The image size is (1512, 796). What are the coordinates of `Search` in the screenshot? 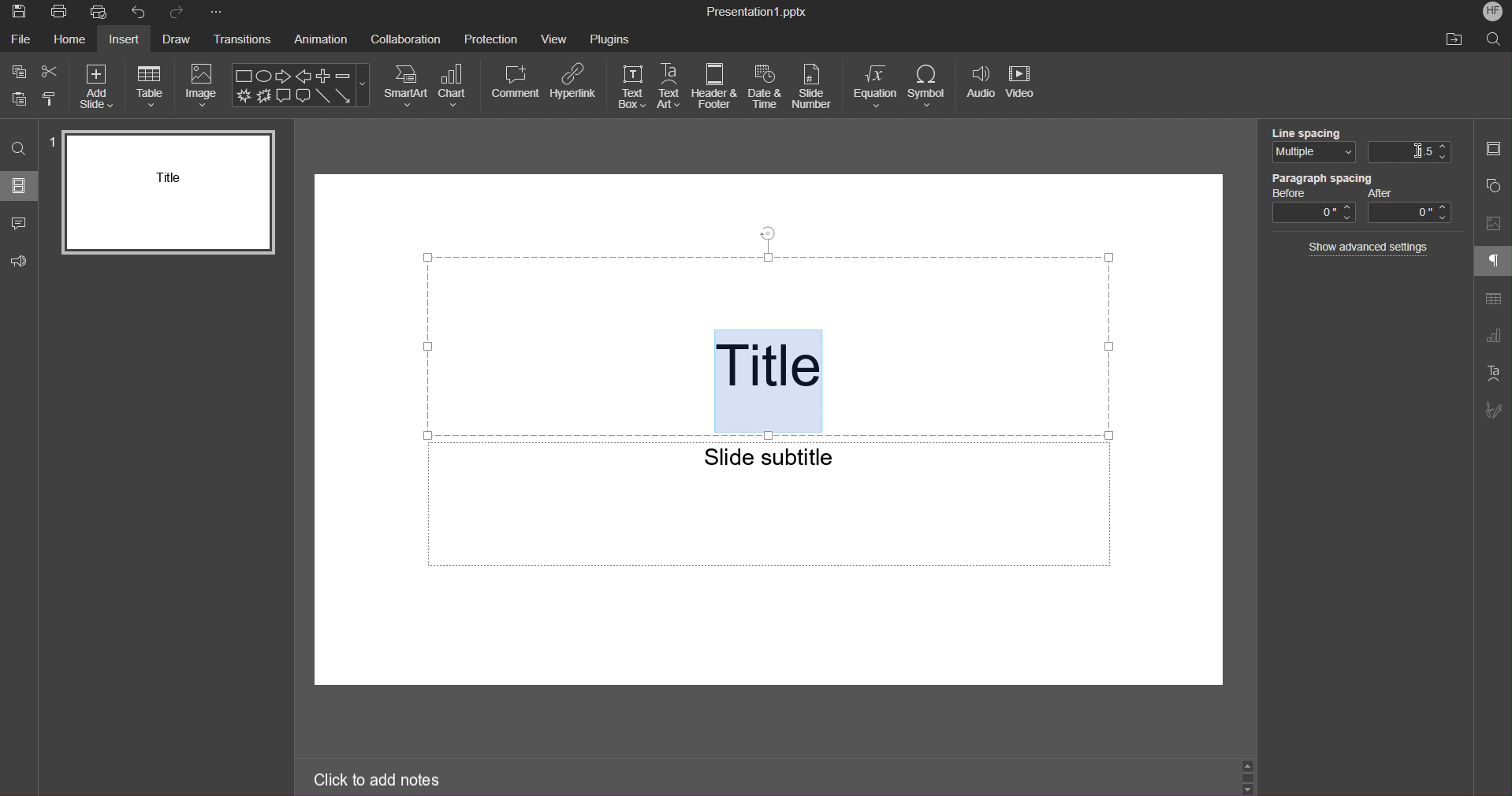 It's located at (1495, 39).